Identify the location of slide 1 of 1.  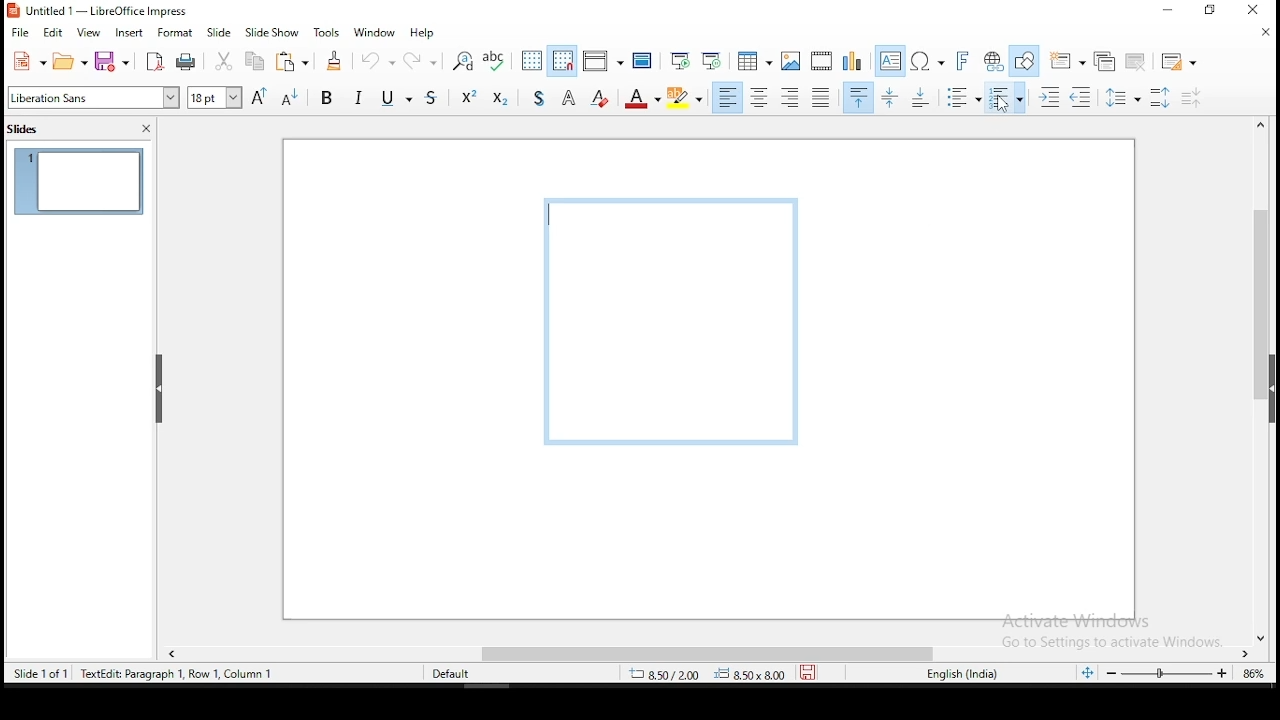
(46, 676).